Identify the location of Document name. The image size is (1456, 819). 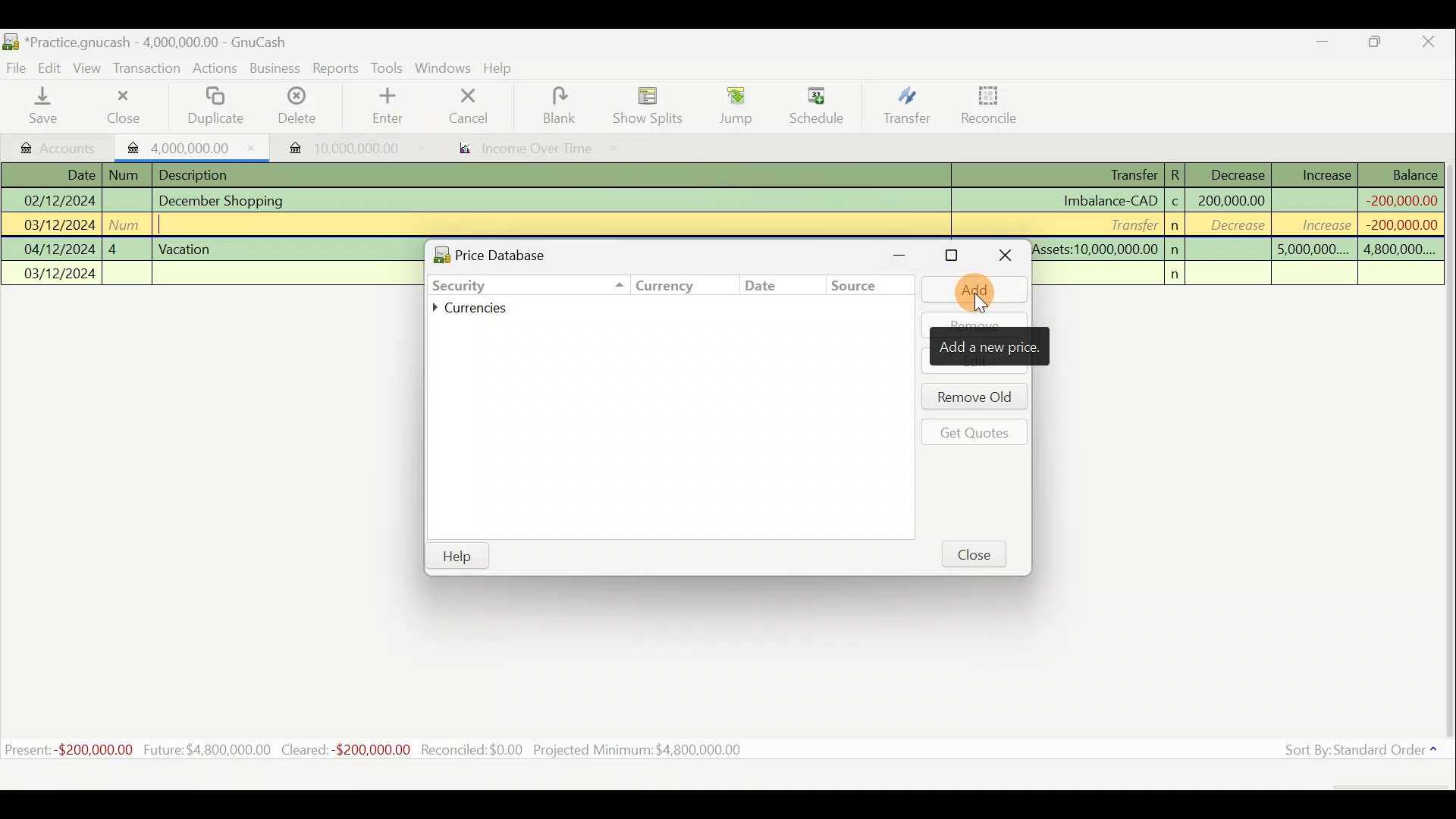
(145, 39).